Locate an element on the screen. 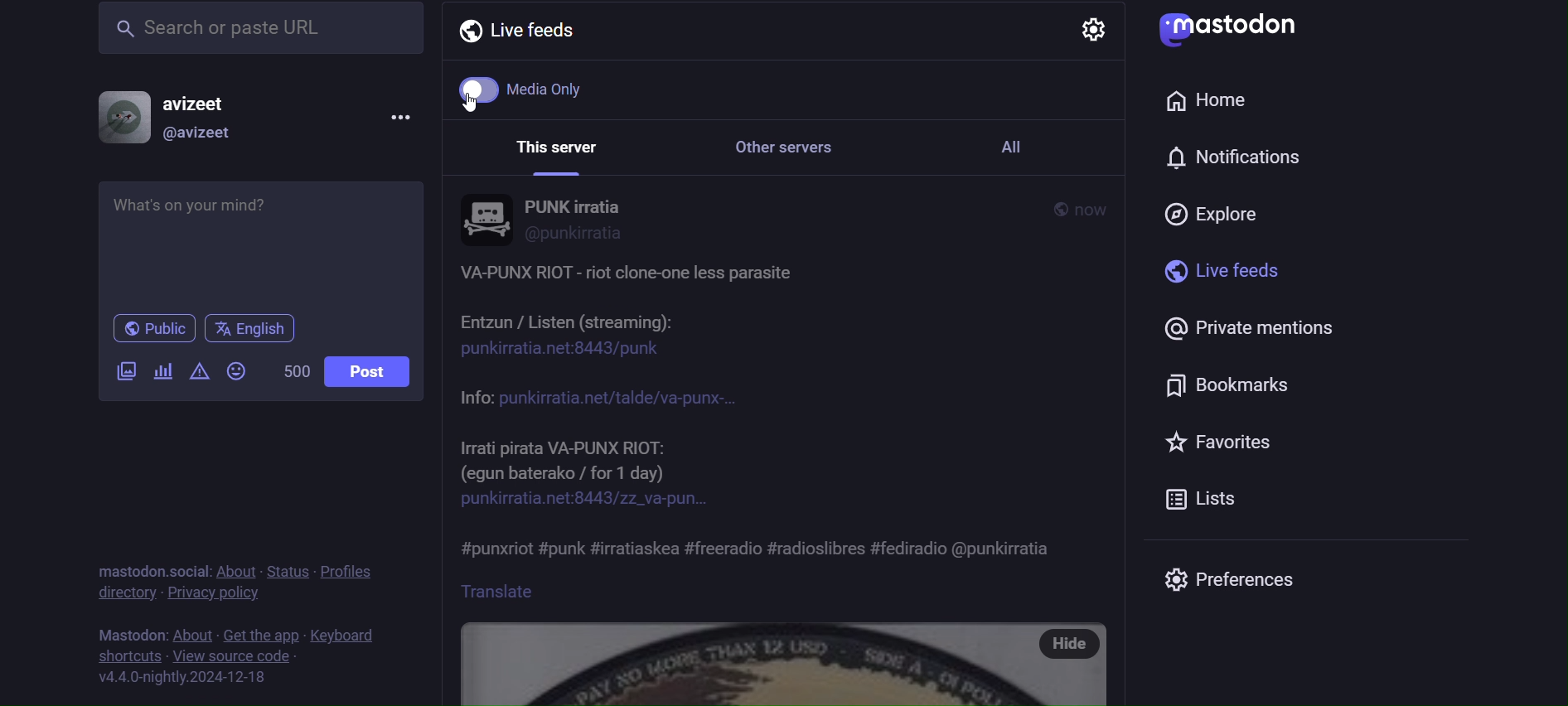 The height and width of the screenshot is (706, 1568). about is located at coordinates (231, 563).